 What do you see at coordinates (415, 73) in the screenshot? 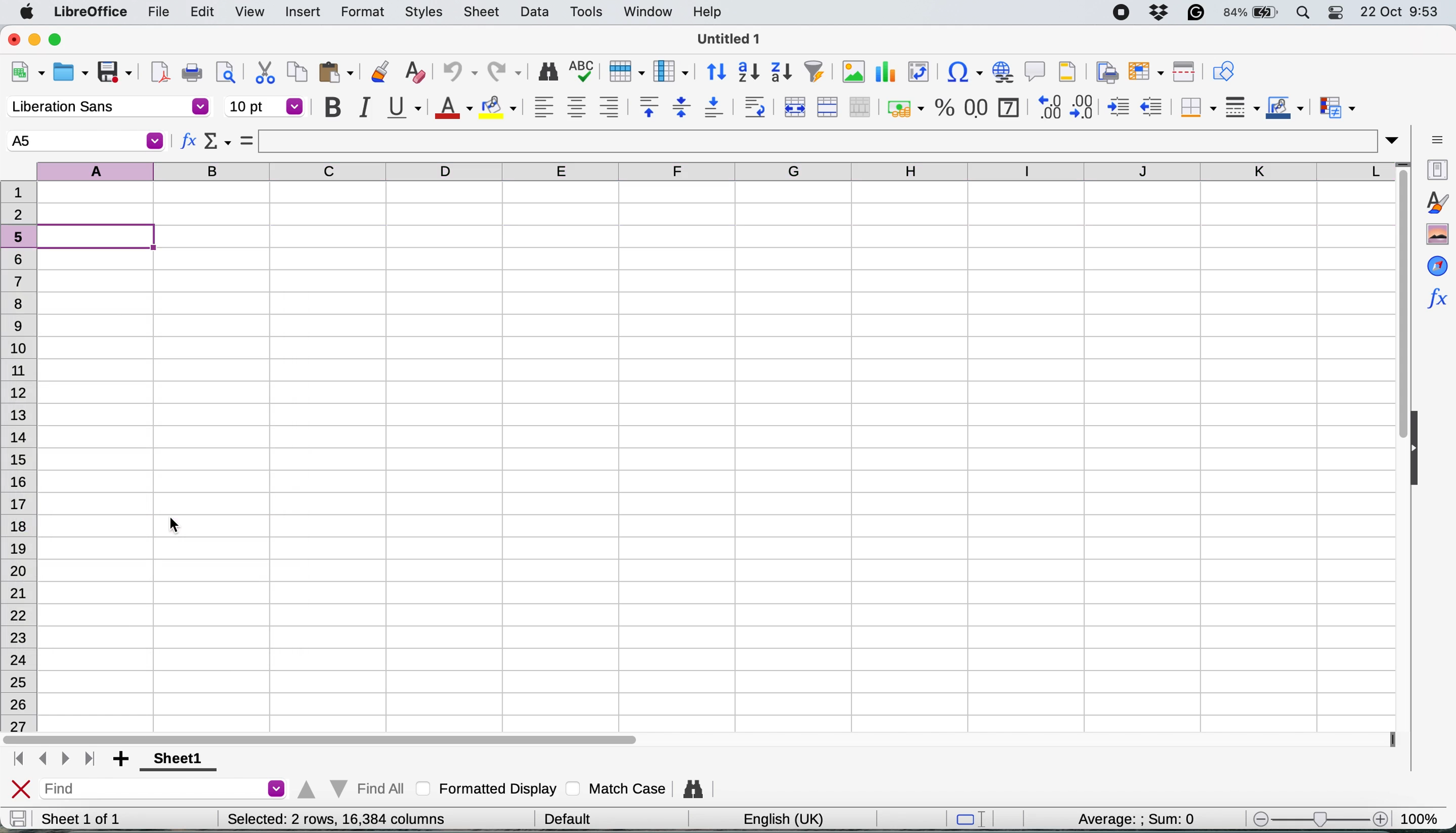
I see `clear direct formatting` at bounding box center [415, 73].